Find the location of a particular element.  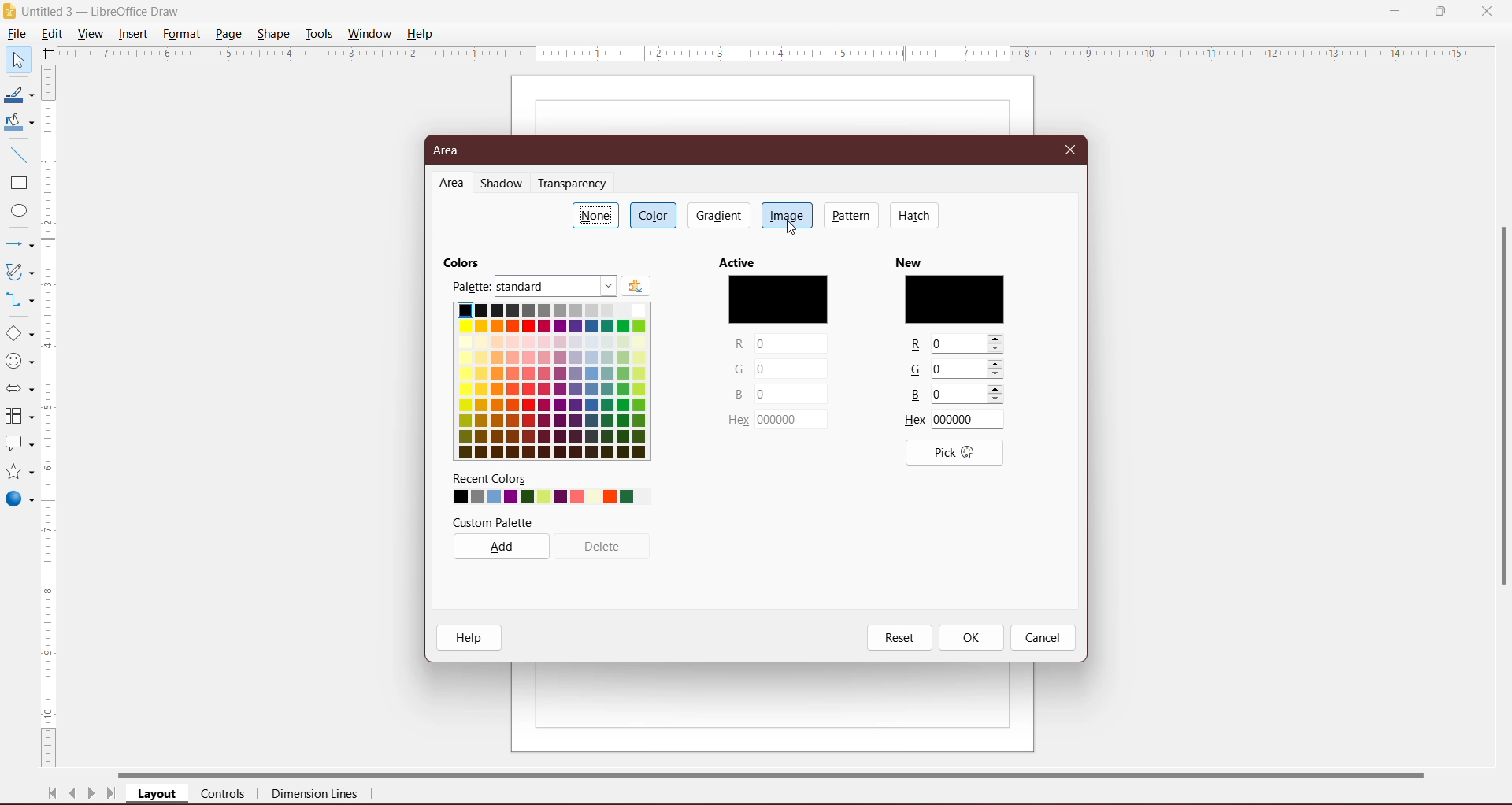

Page is located at coordinates (228, 33).